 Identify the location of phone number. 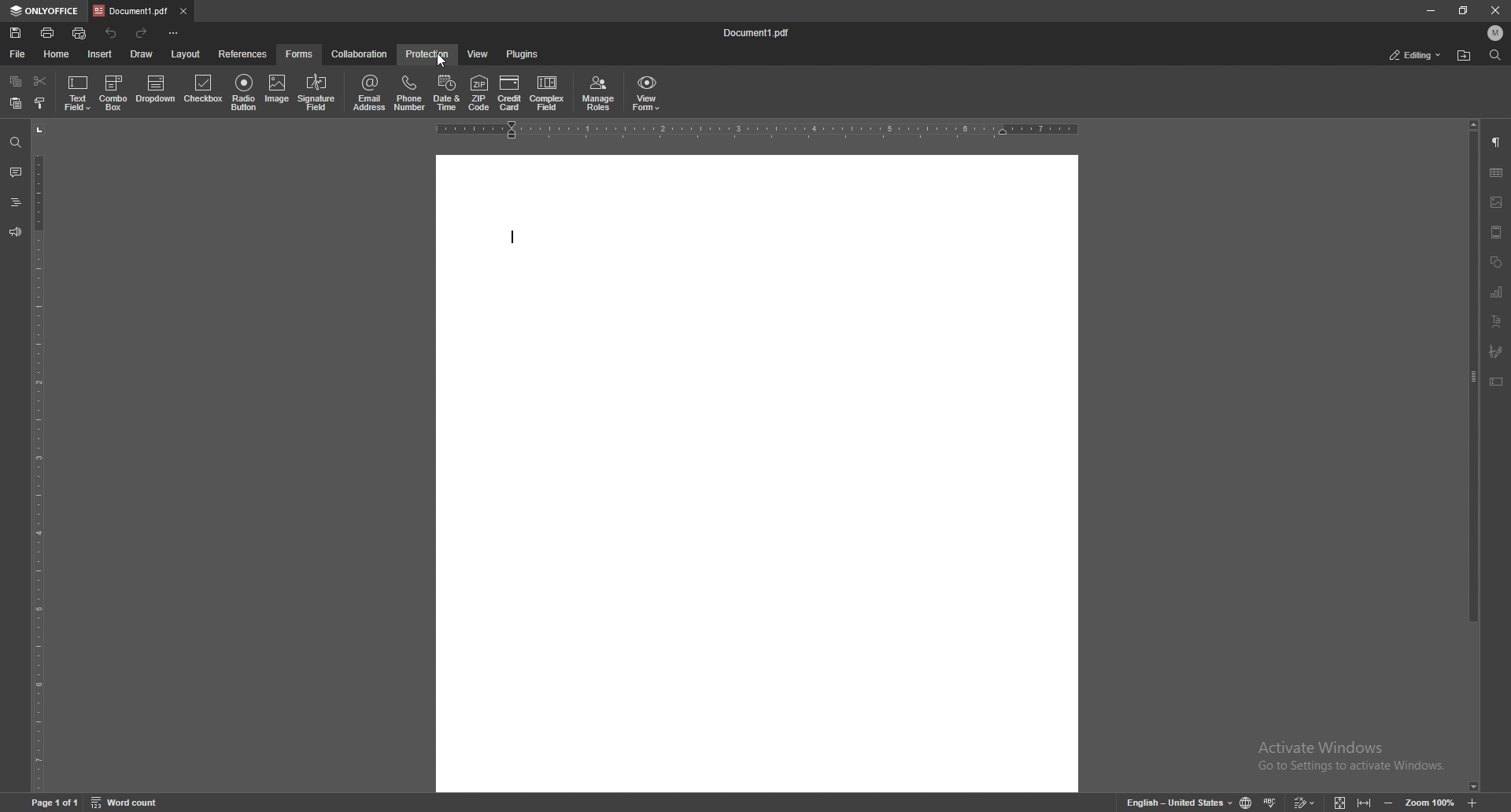
(409, 94).